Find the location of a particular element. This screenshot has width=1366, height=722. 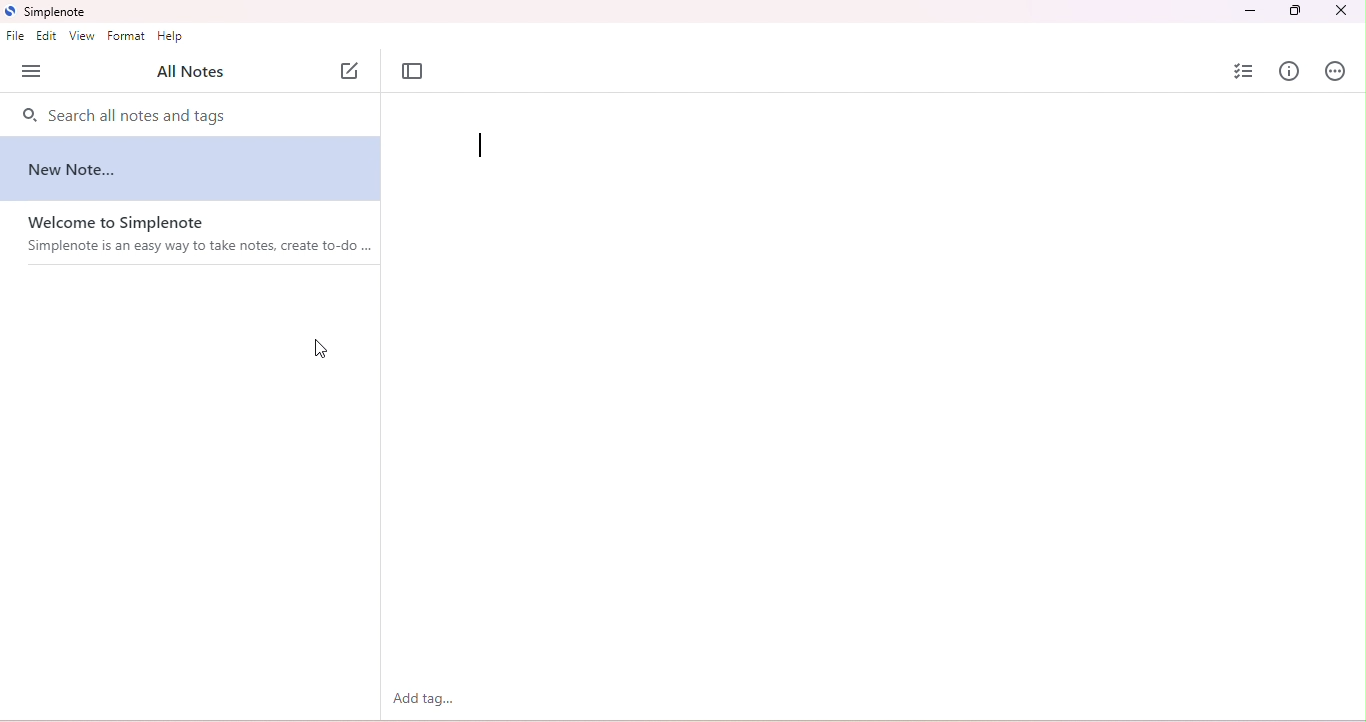

minimize is located at coordinates (1248, 11).